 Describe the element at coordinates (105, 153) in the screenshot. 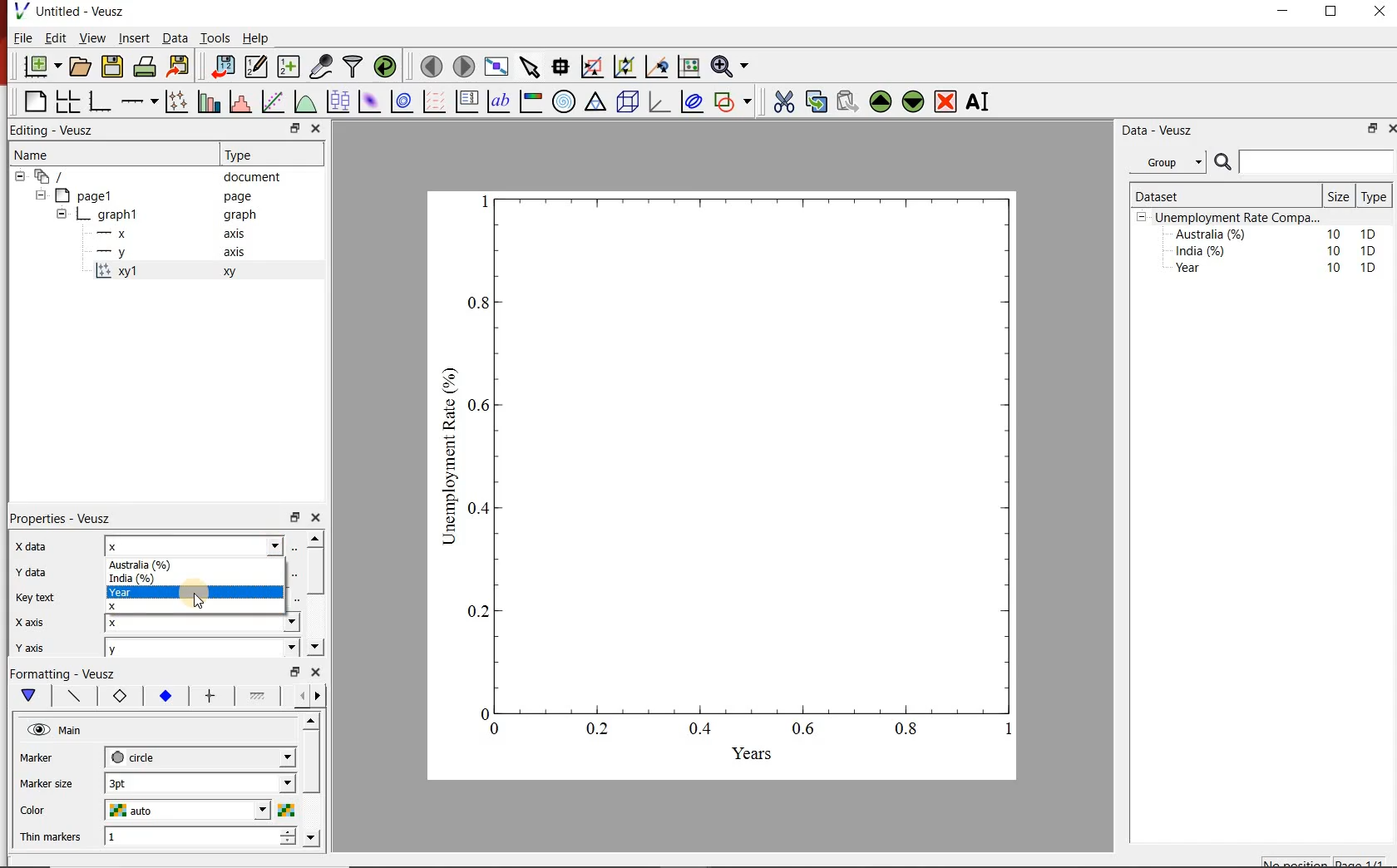

I see `Name` at that location.